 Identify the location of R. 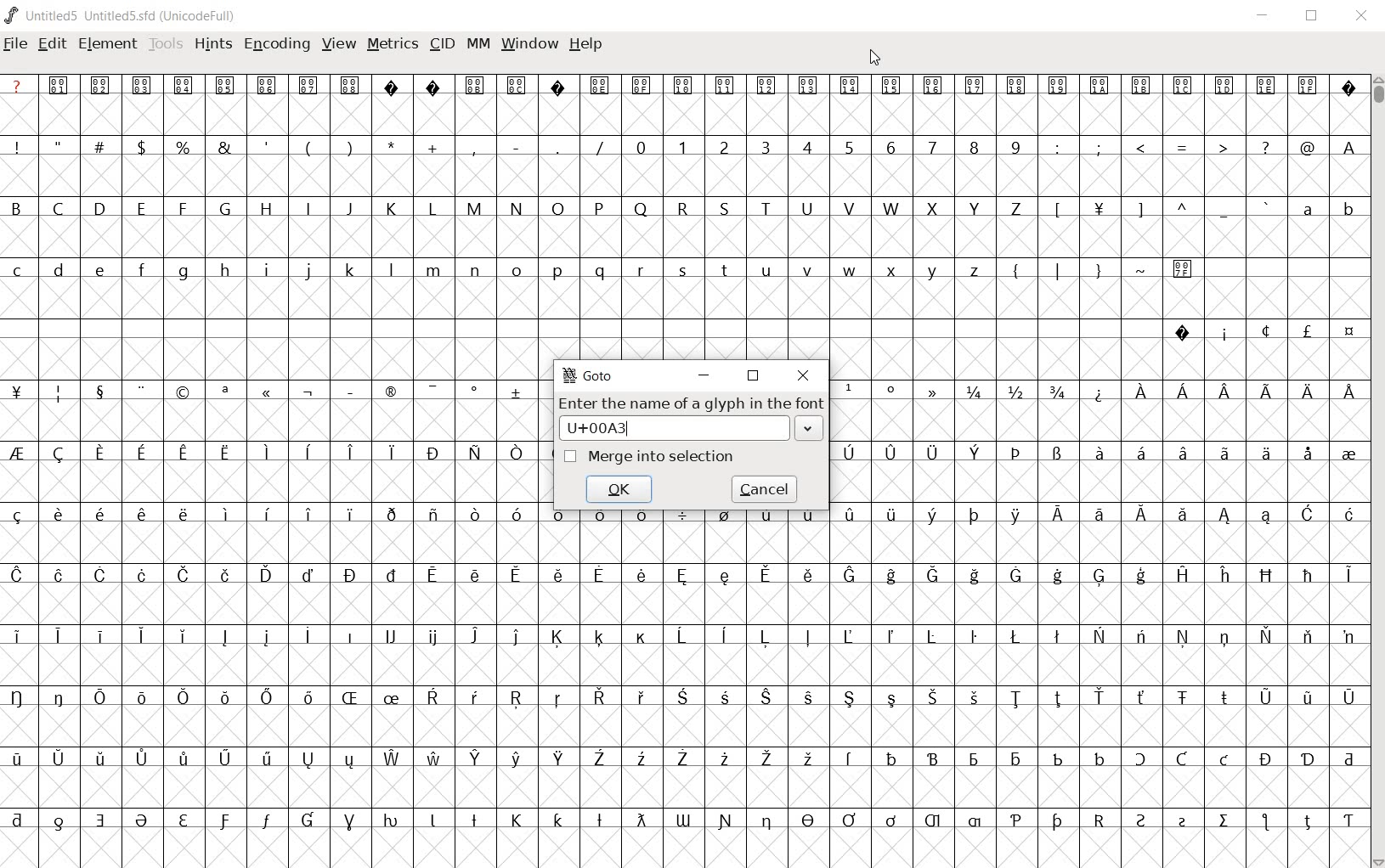
(685, 208).